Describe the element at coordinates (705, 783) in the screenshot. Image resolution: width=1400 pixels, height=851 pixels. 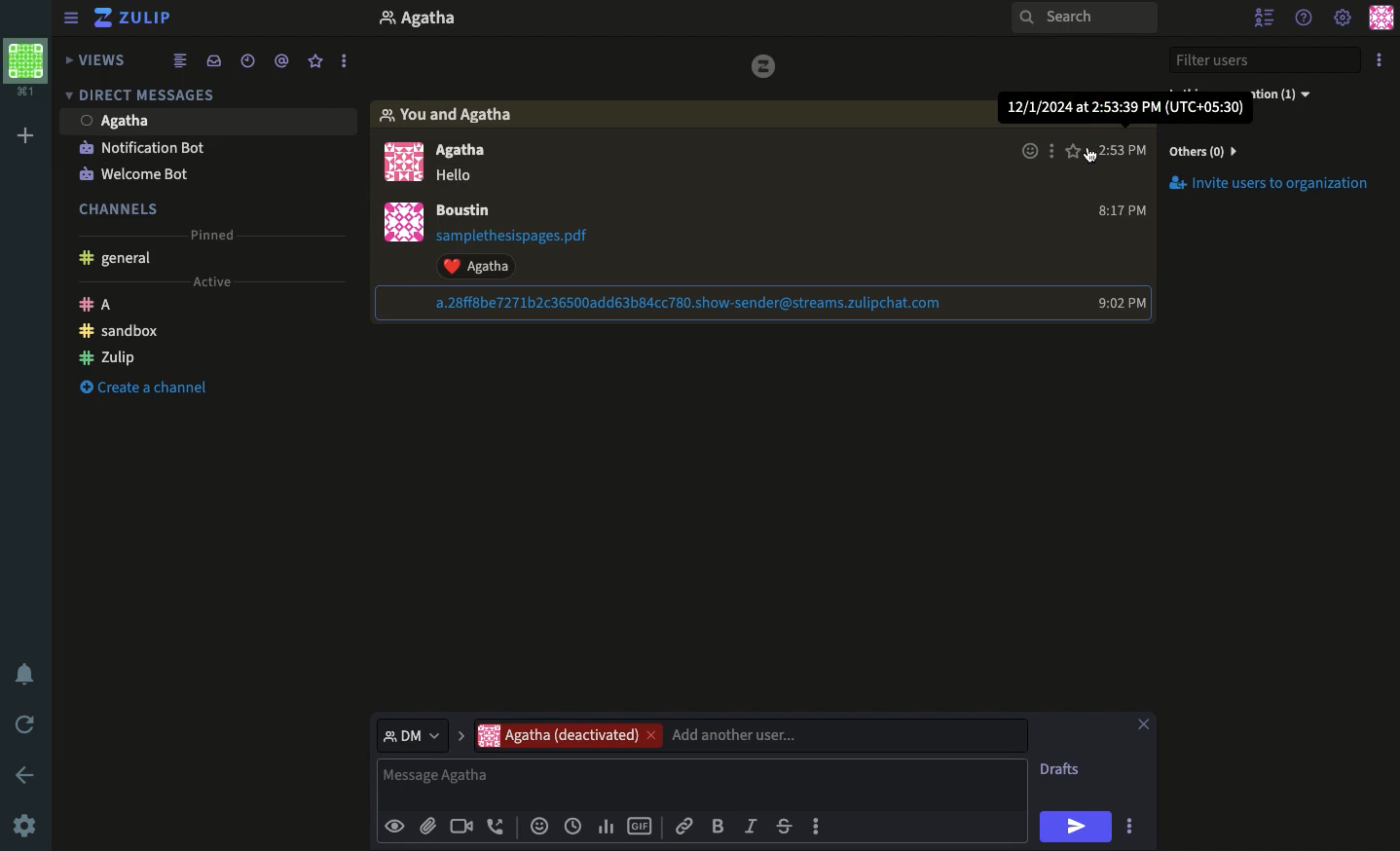
I see `Message` at that location.